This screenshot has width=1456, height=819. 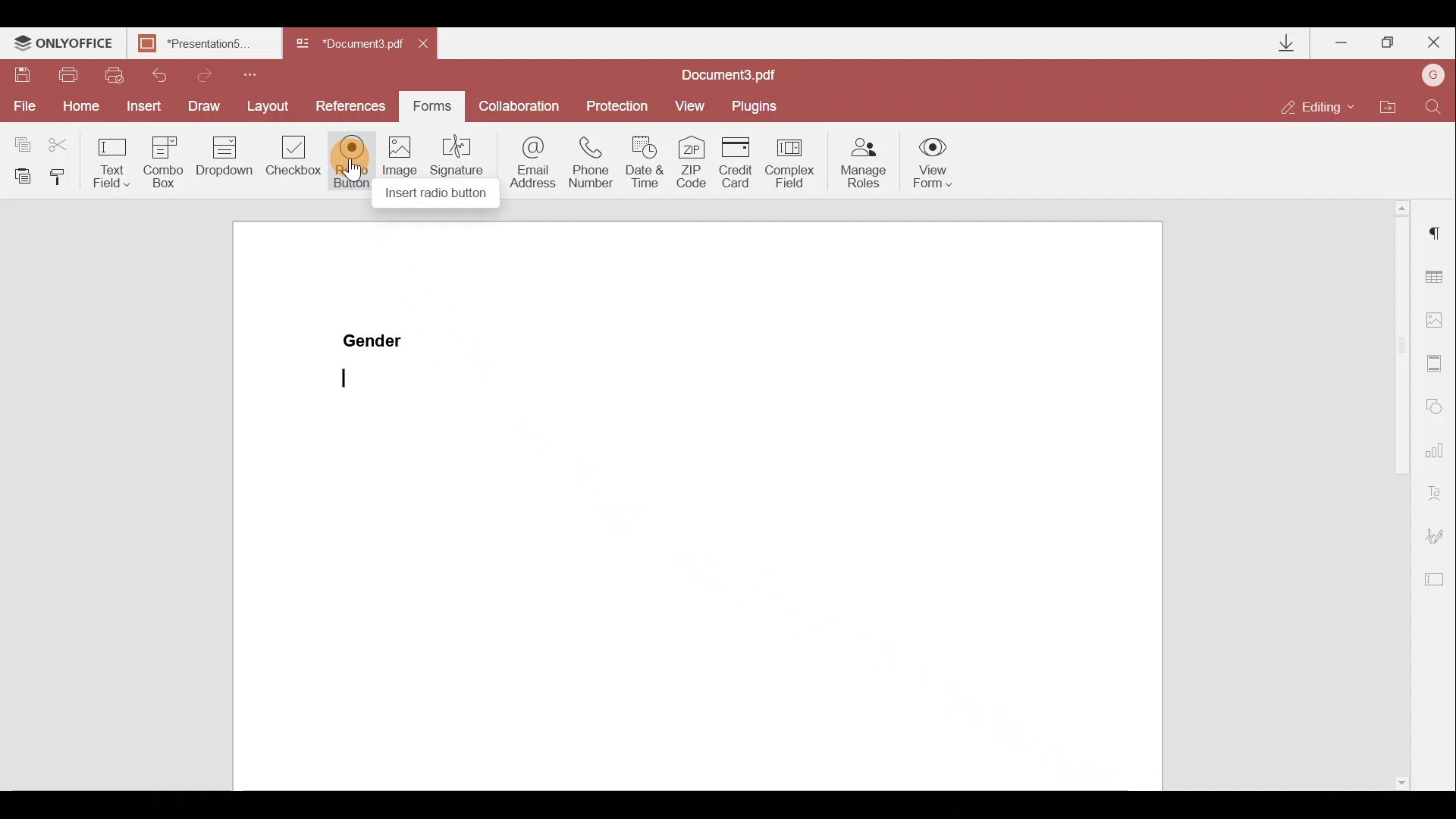 I want to click on Text Art settings, so click(x=1439, y=495).